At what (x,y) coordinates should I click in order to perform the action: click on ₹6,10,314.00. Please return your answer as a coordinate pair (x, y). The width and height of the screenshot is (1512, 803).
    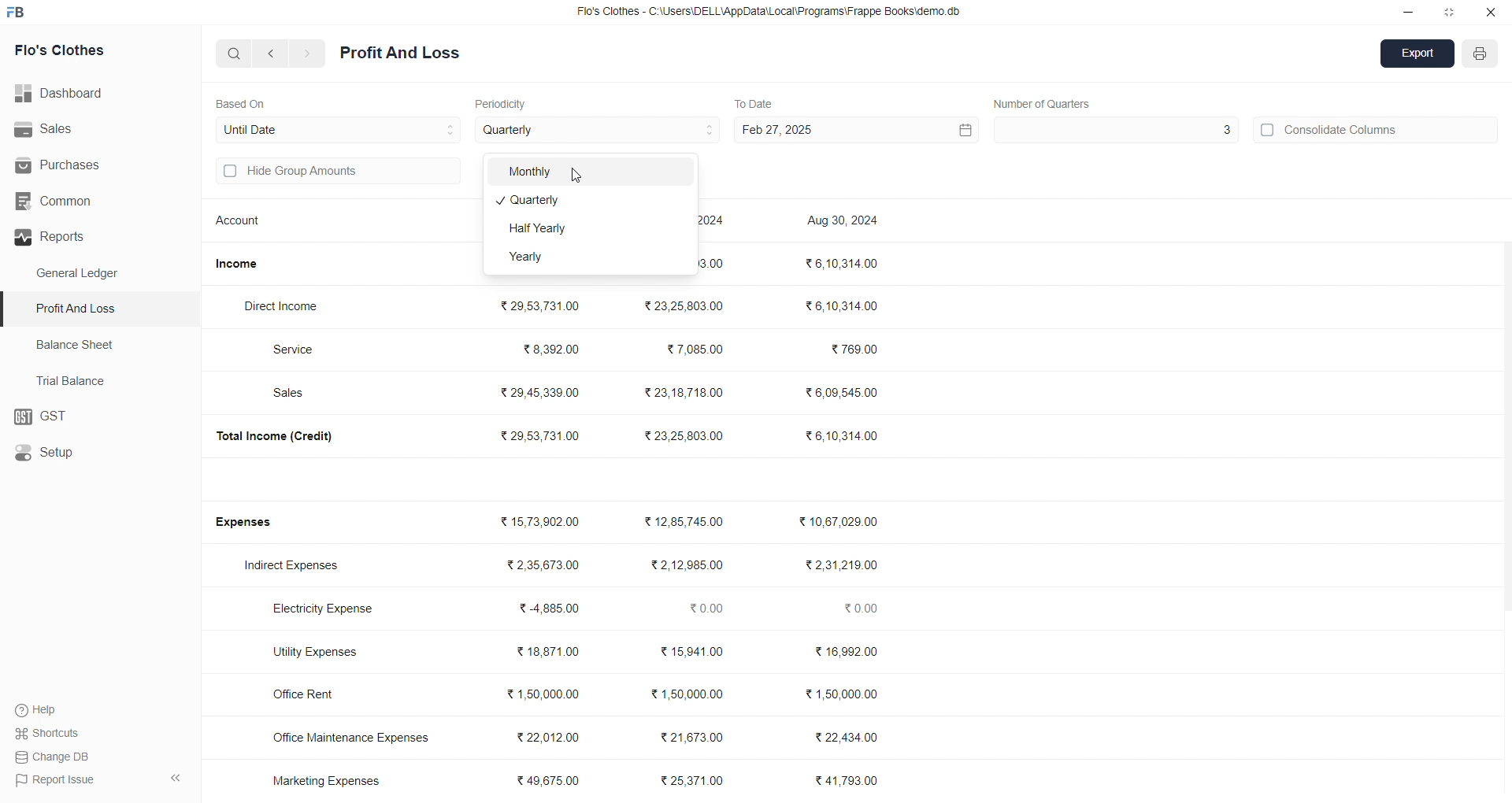
    Looking at the image, I should click on (843, 305).